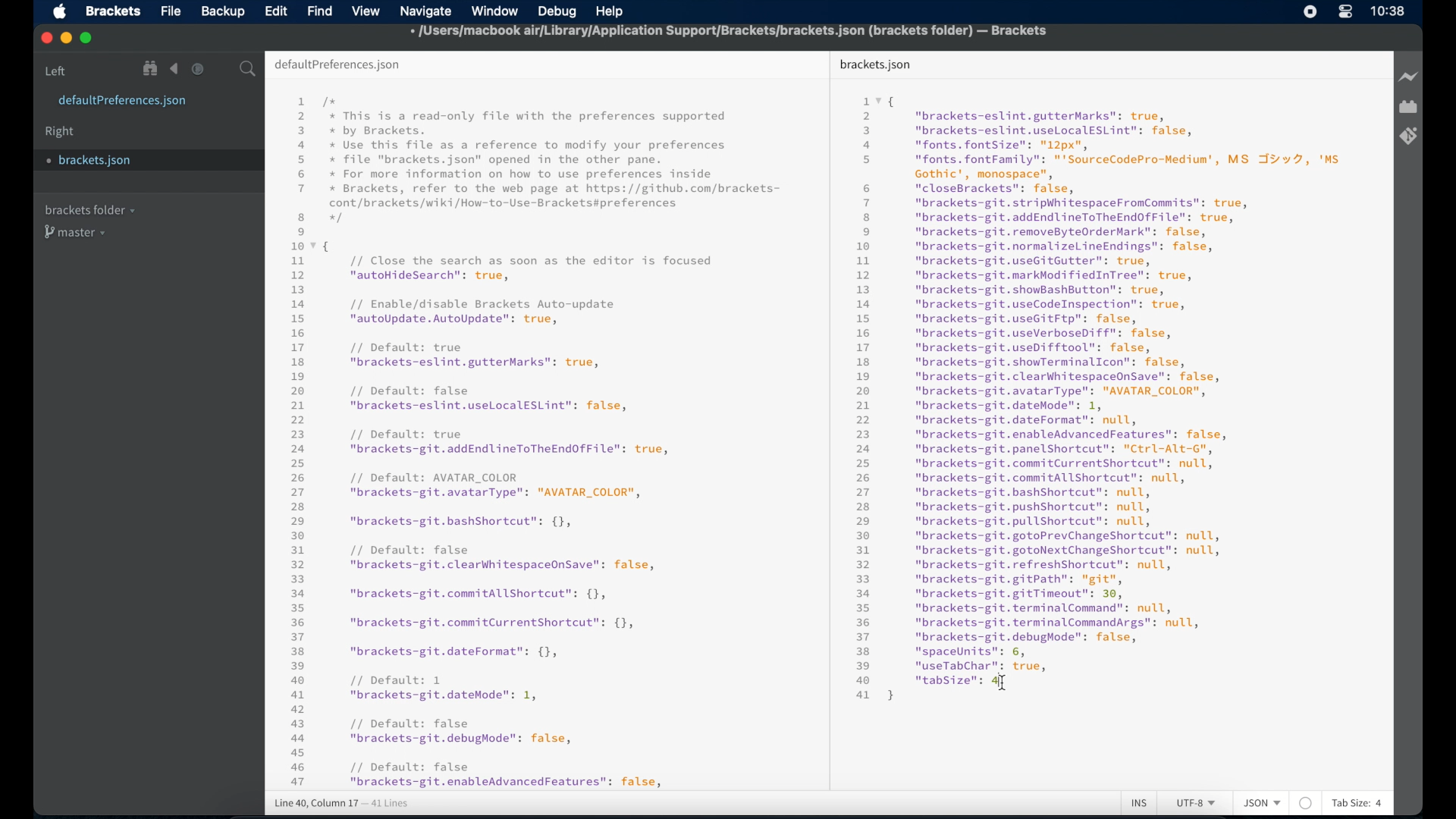 This screenshot has height=819, width=1456. I want to click on help, so click(610, 13).